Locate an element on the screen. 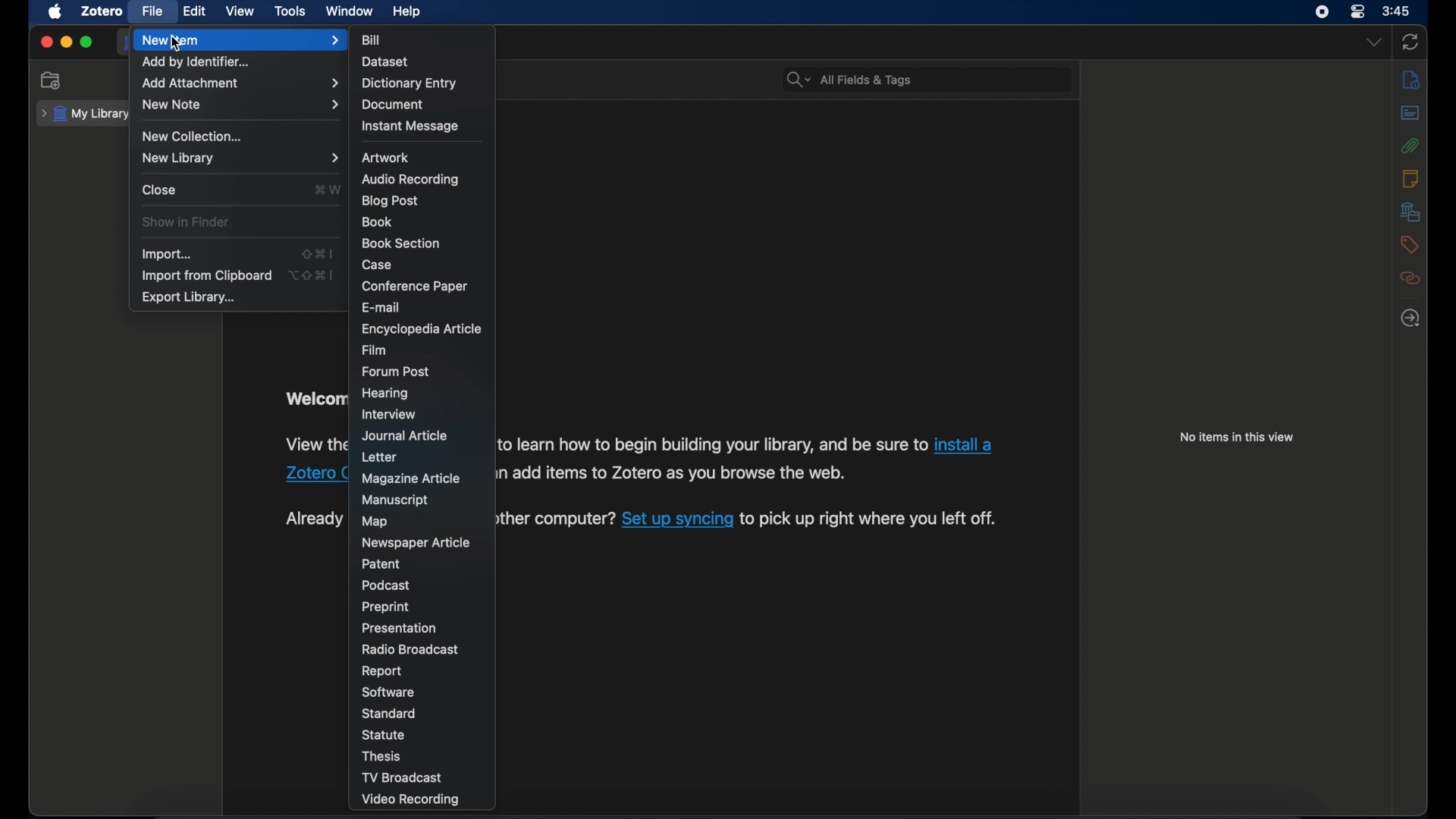 The width and height of the screenshot is (1456, 819). close is located at coordinates (45, 42).